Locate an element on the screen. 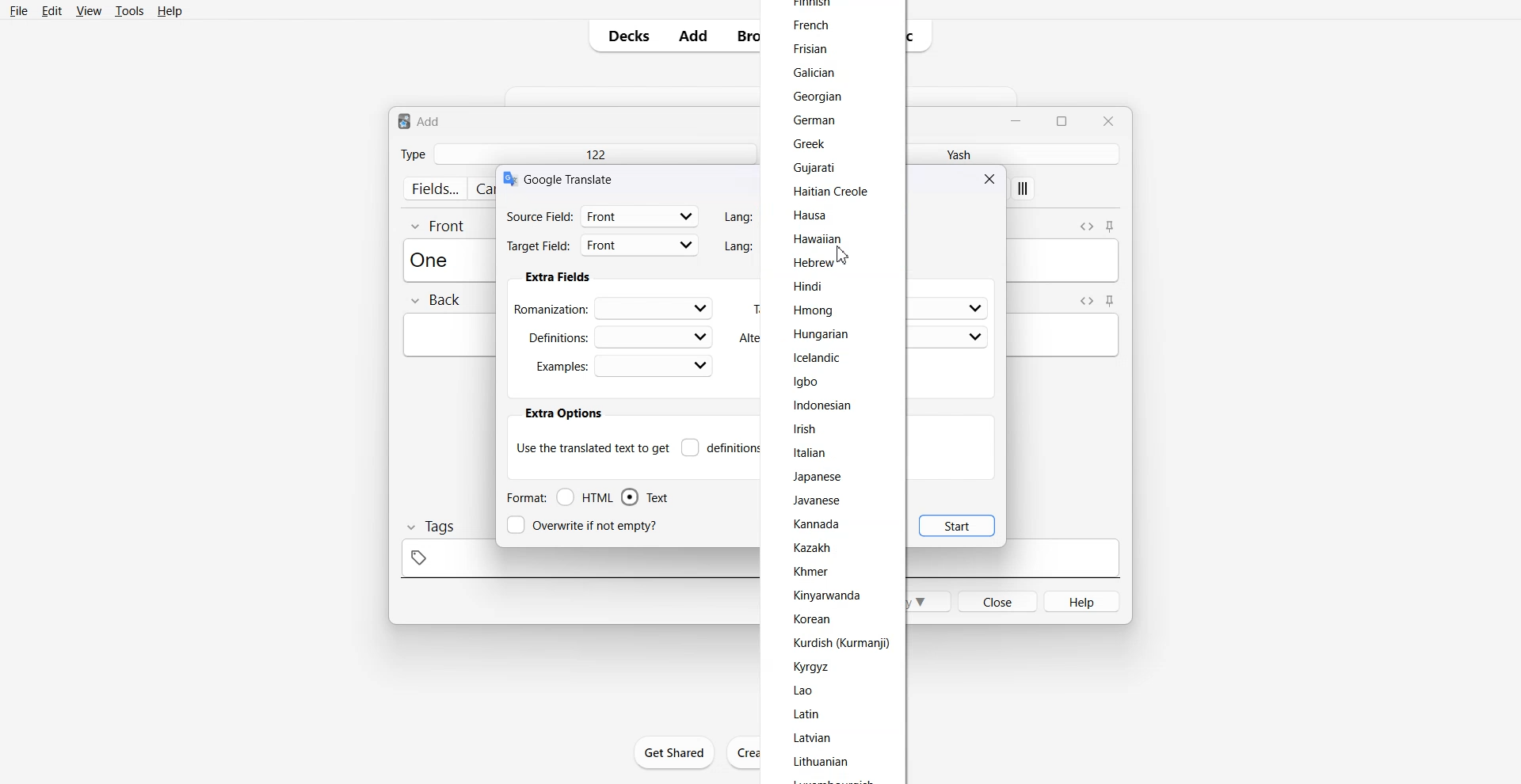  Cursor is located at coordinates (843, 253).